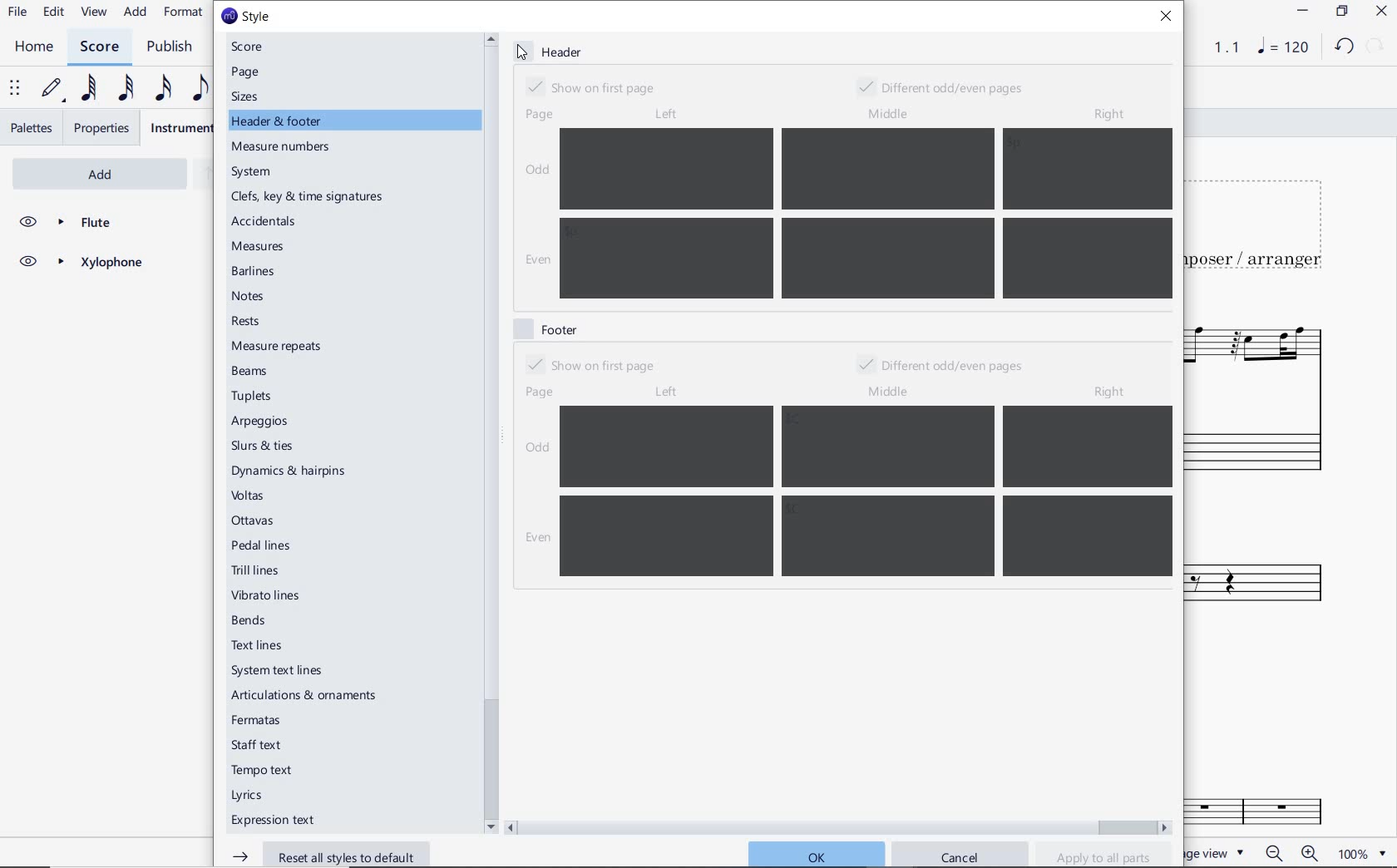  I want to click on page, so click(541, 392).